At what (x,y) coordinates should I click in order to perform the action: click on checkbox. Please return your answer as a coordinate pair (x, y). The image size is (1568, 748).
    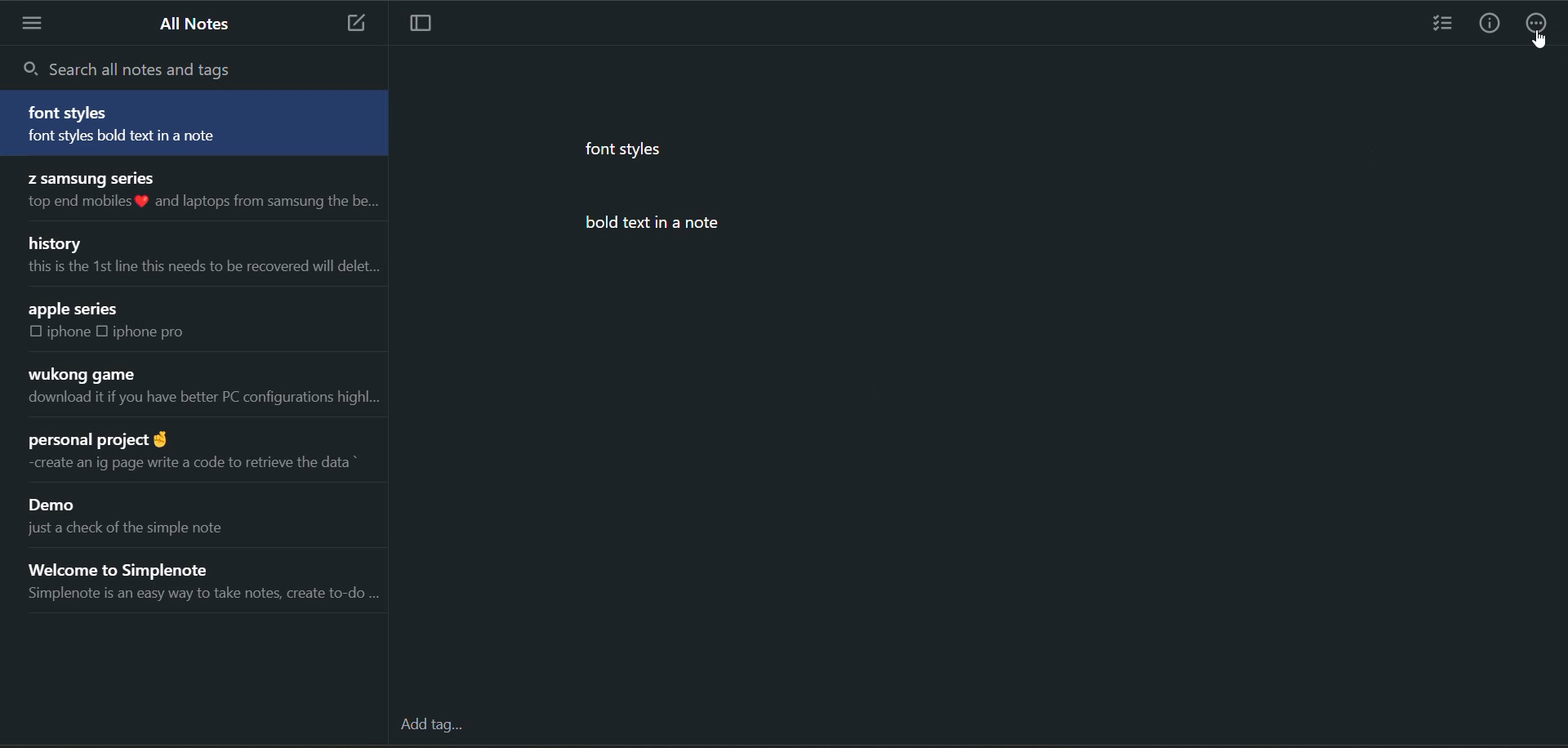
    Looking at the image, I should click on (36, 332).